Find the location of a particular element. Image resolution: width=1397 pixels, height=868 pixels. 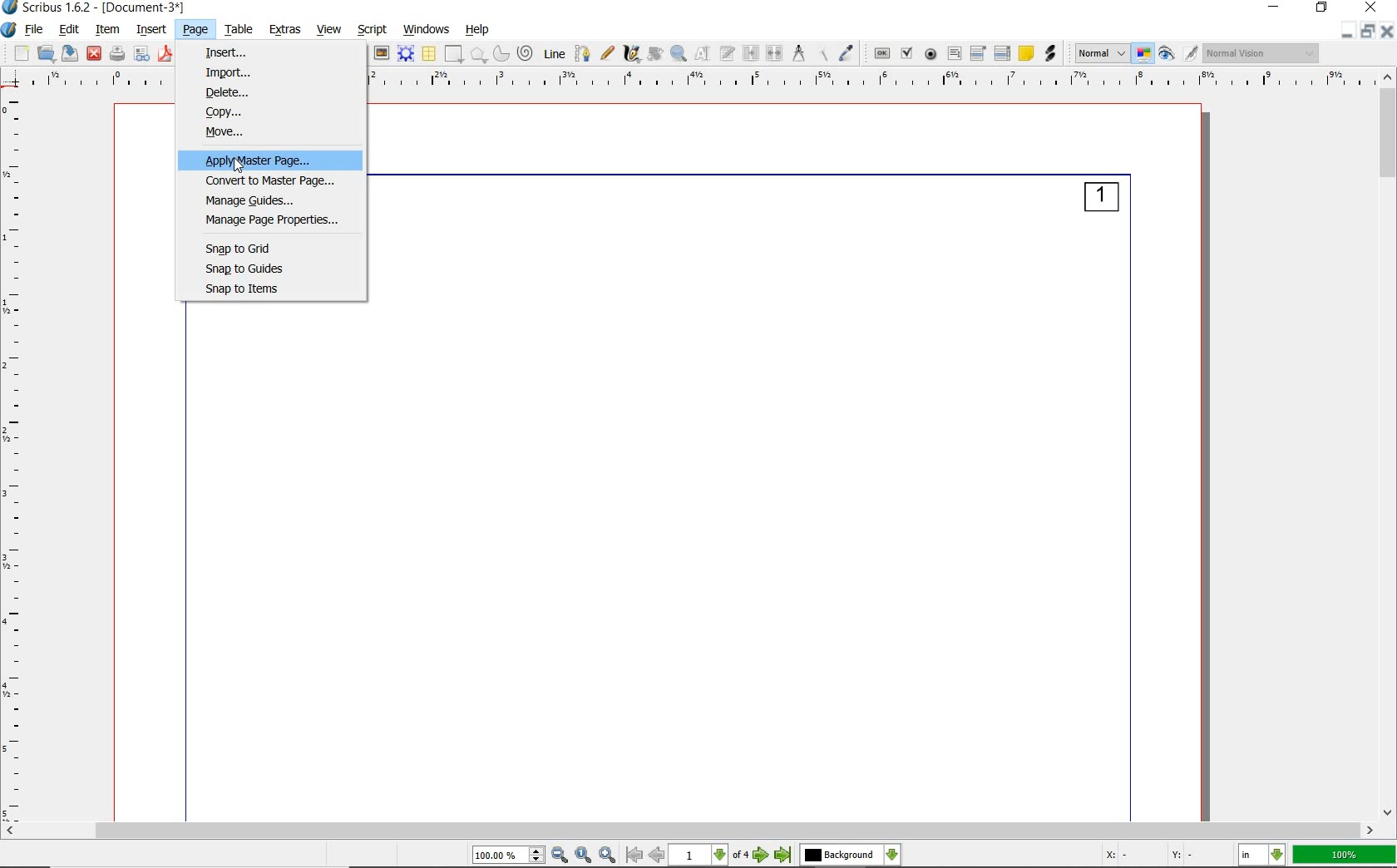

freehand line is located at coordinates (607, 54).